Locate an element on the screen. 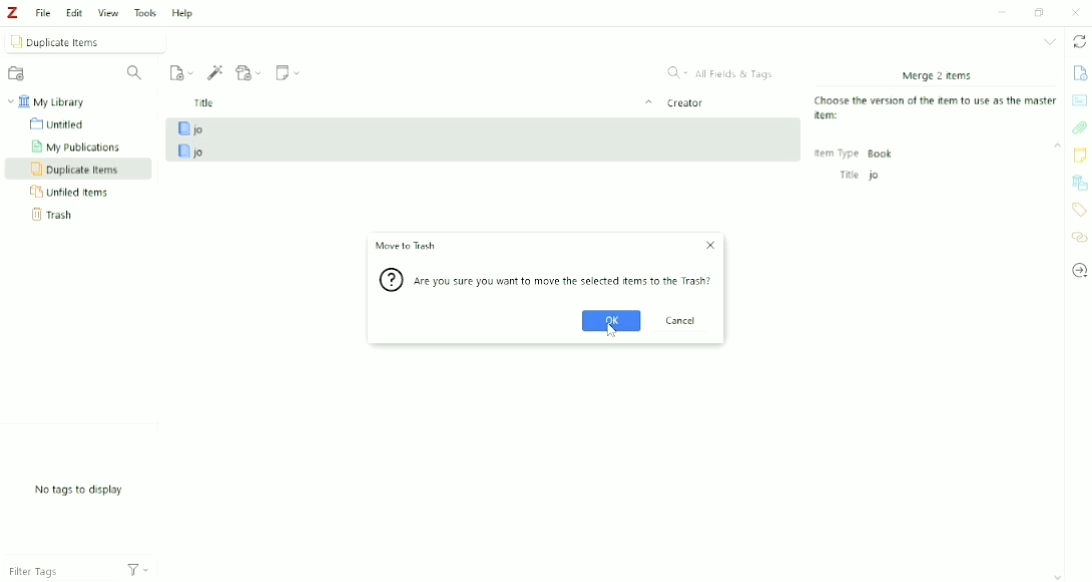  Untitled is located at coordinates (64, 125).